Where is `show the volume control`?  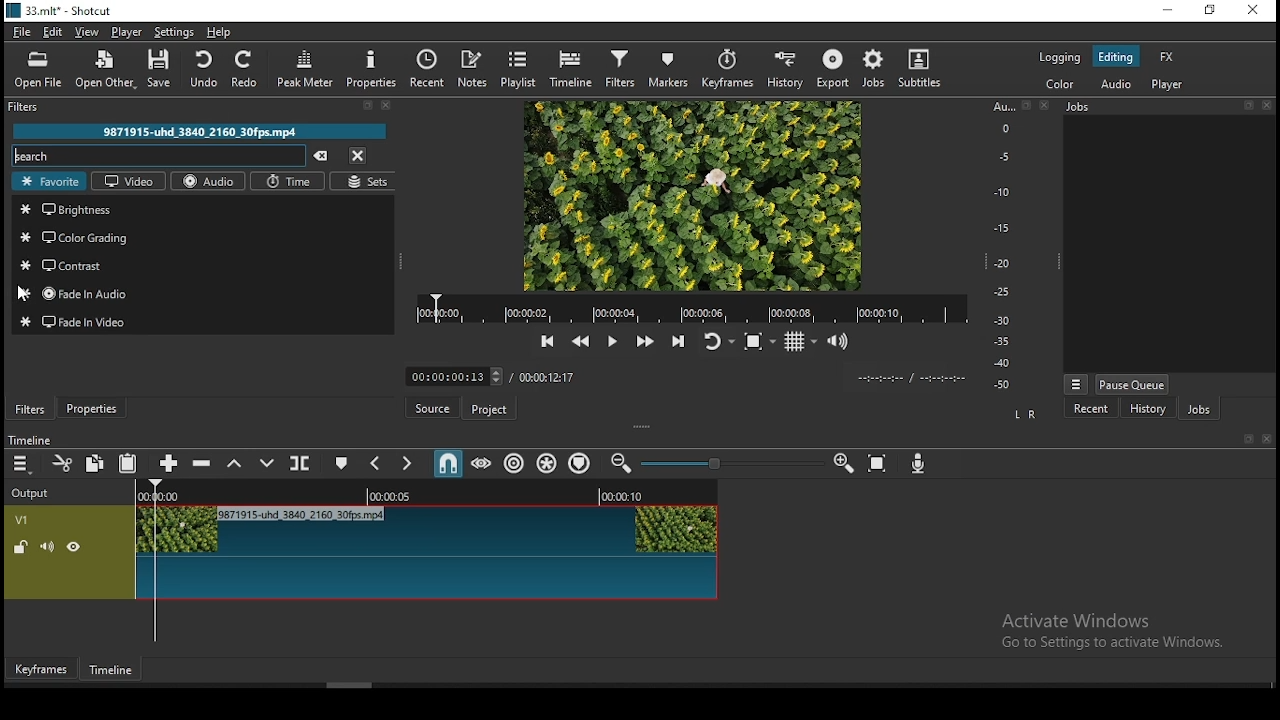 show the volume control is located at coordinates (839, 342).